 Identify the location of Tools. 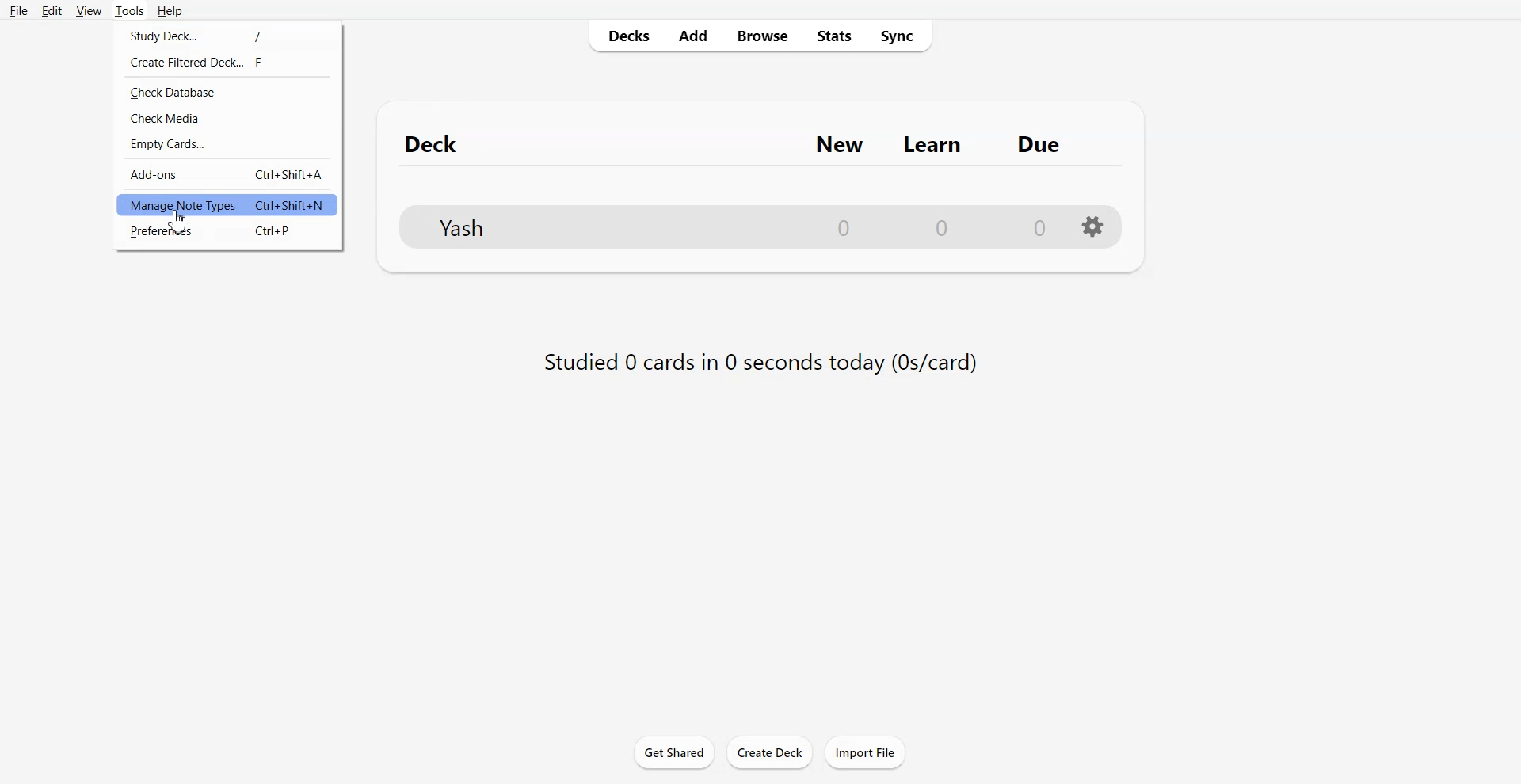
(129, 10).